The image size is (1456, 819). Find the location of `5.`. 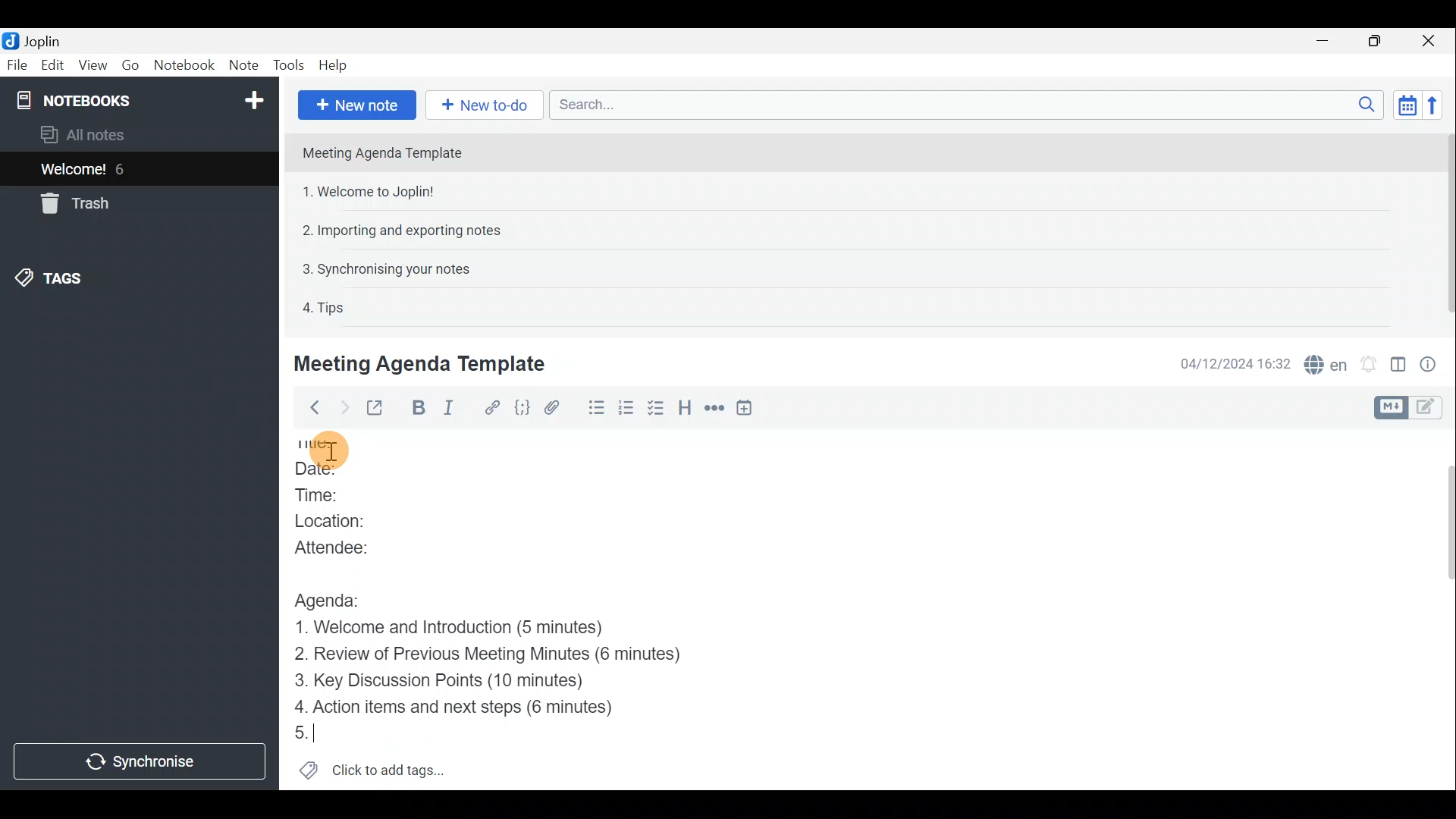

5. is located at coordinates (312, 736).